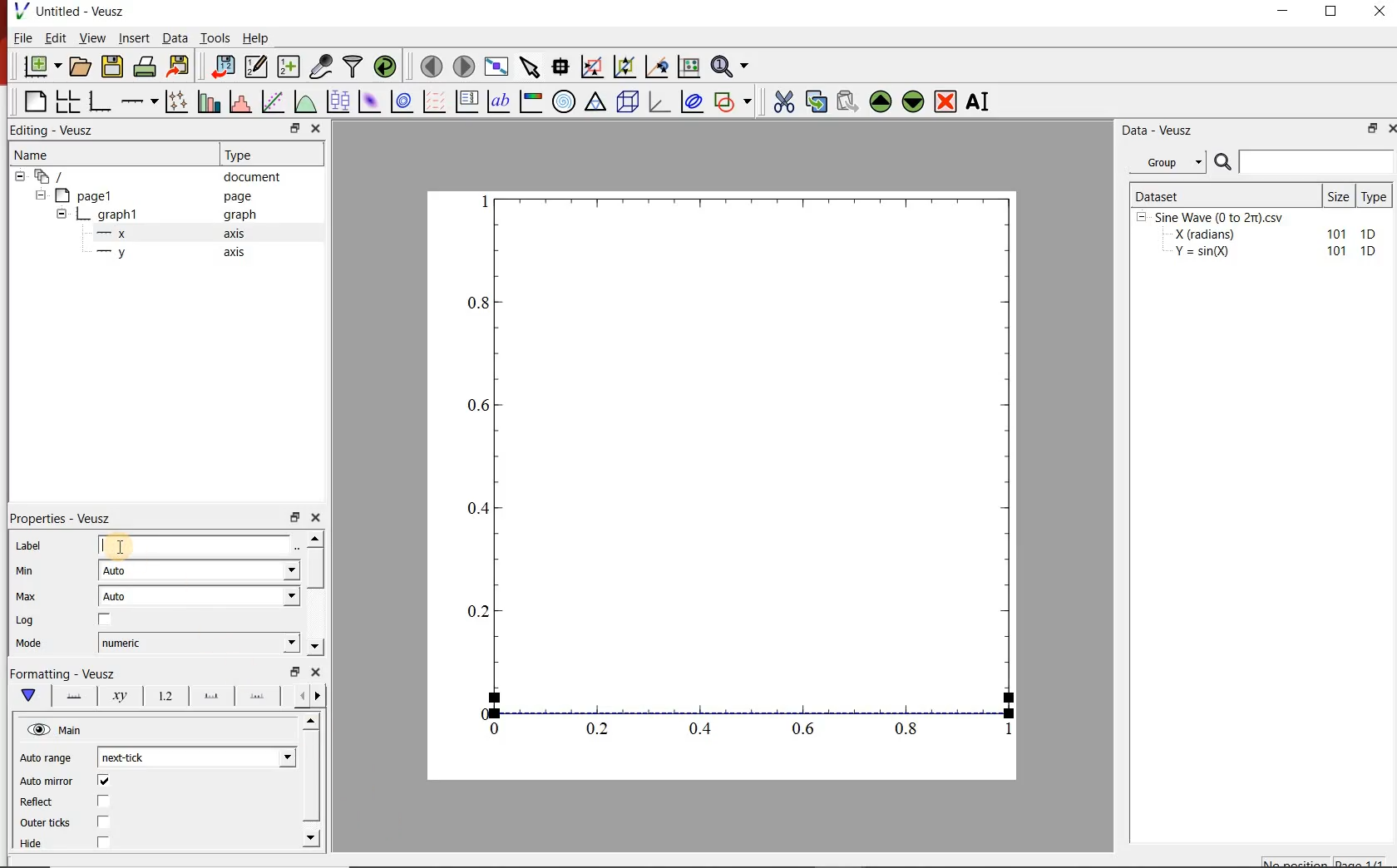 Image resolution: width=1397 pixels, height=868 pixels. What do you see at coordinates (116, 696) in the screenshot?
I see `xy` at bounding box center [116, 696].